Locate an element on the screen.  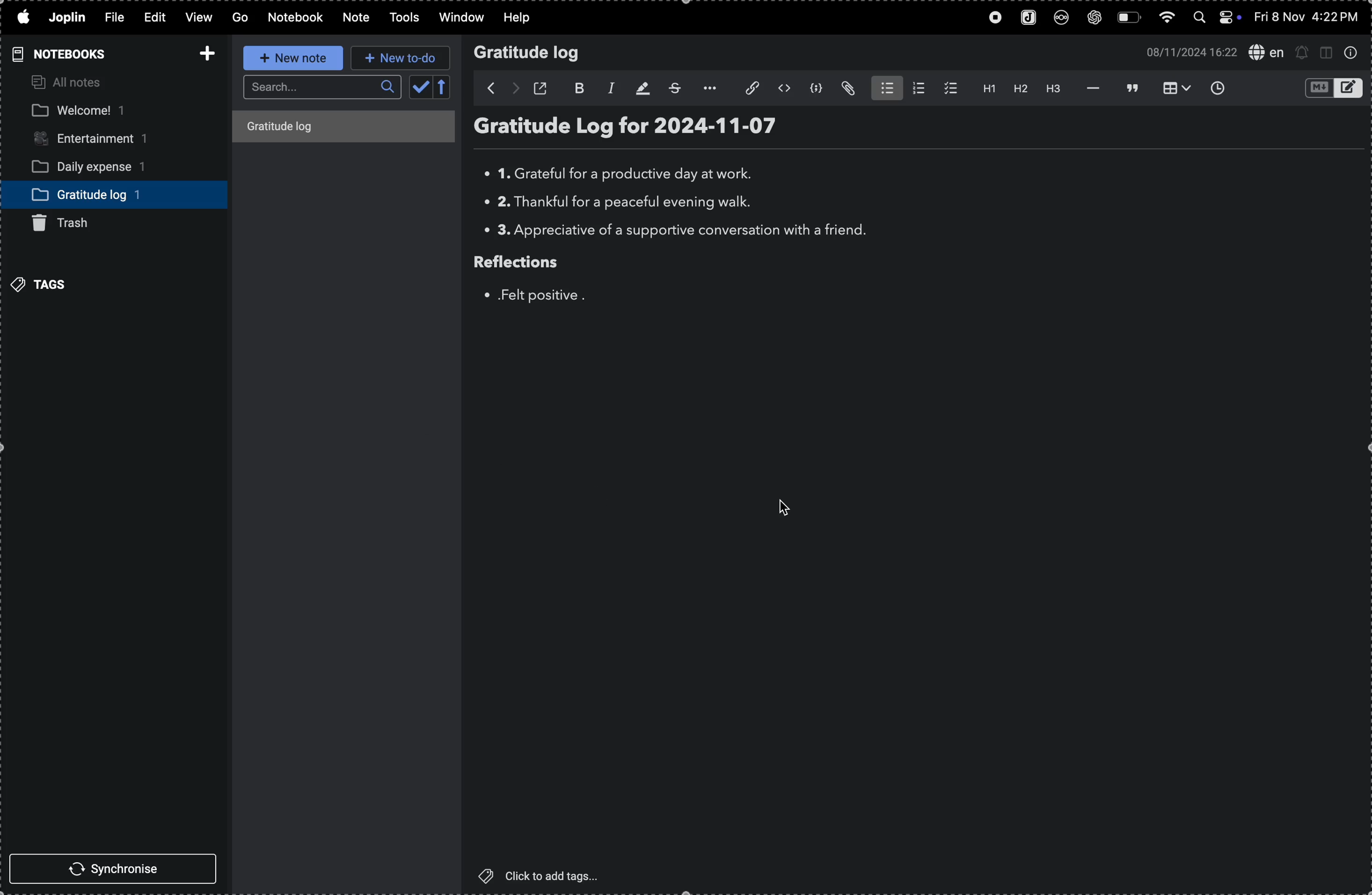
horrizontal line is located at coordinates (1091, 89).